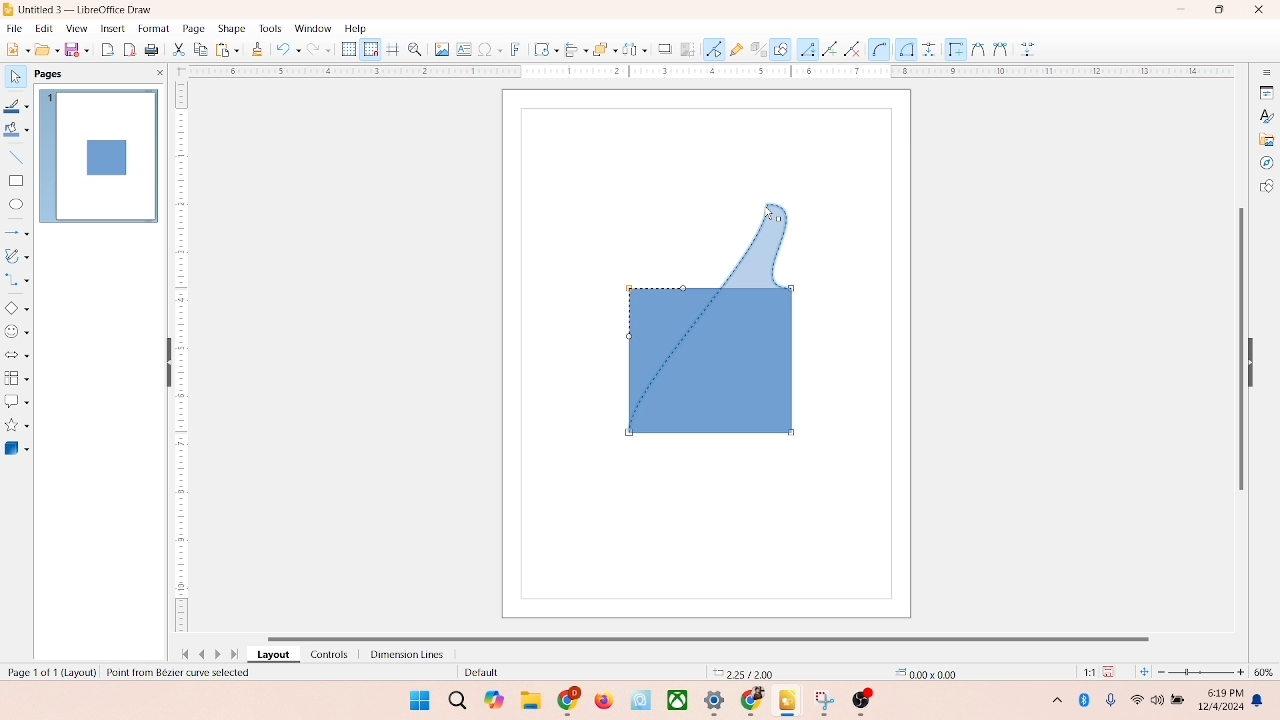 The image size is (1280, 720). What do you see at coordinates (45, 49) in the screenshot?
I see `open` at bounding box center [45, 49].